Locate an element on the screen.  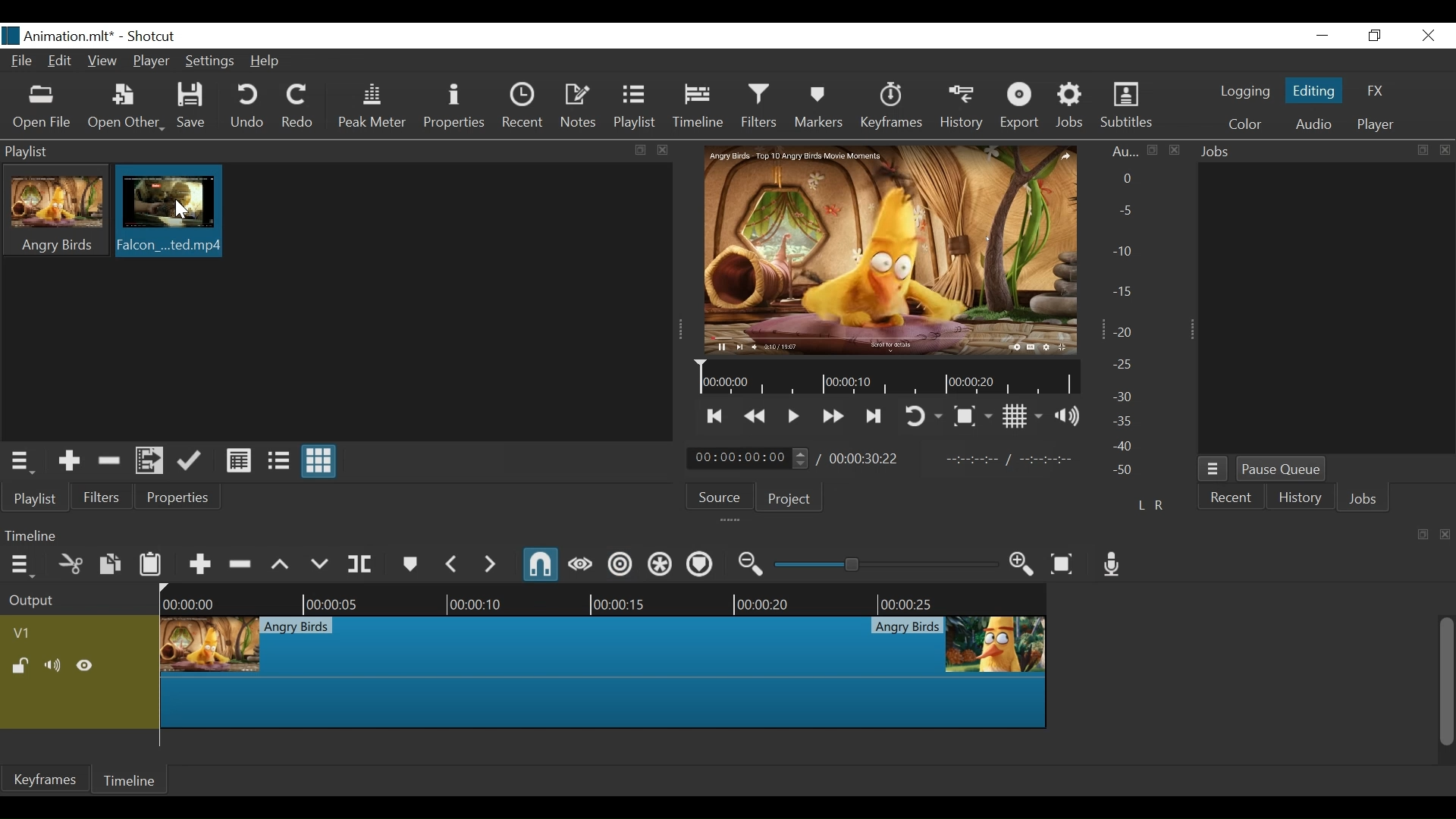
Properties is located at coordinates (456, 108).